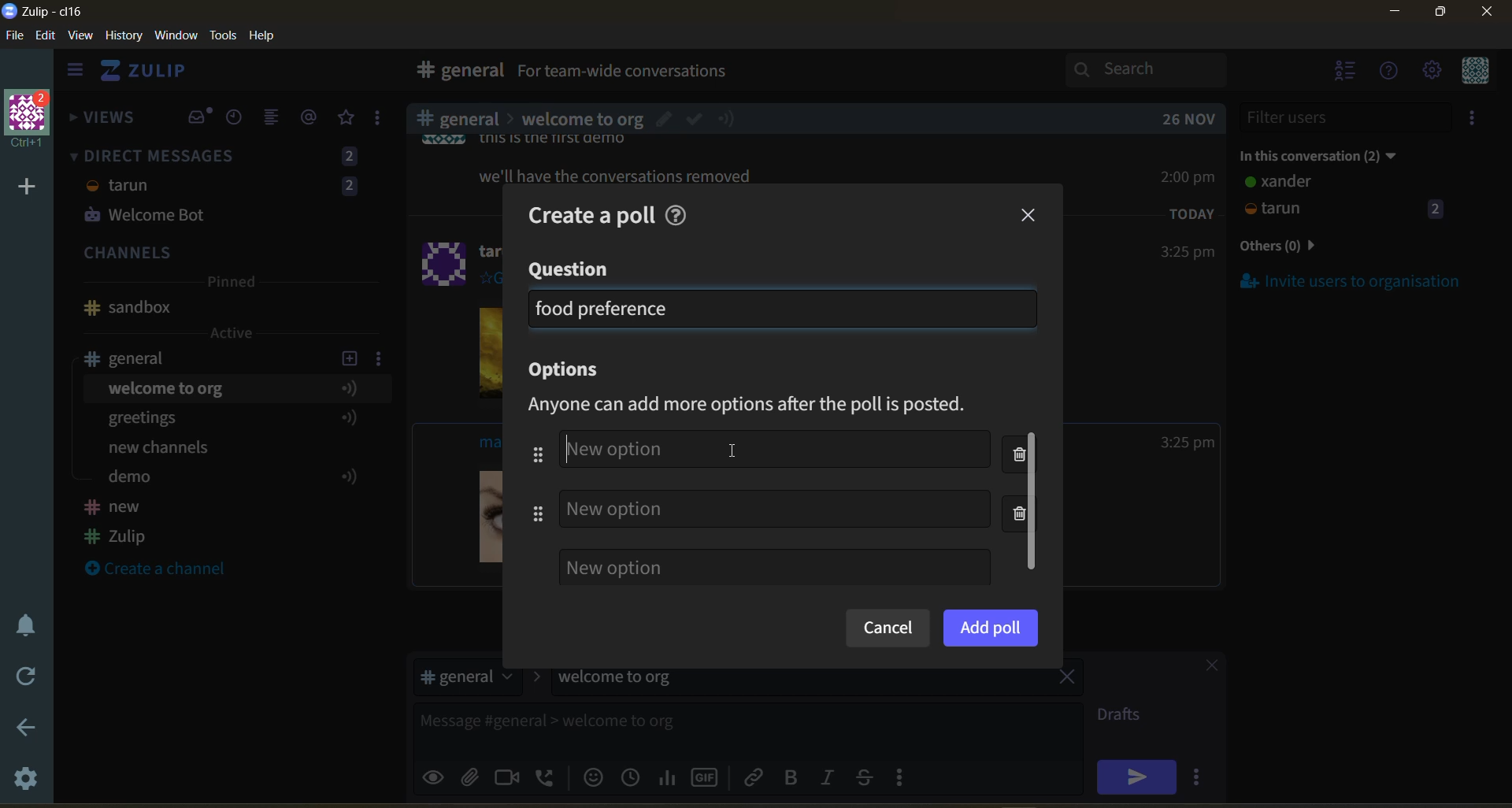 This screenshot has height=808, width=1512. What do you see at coordinates (475, 775) in the screenshot?
I see `upload files` at bounding box center [475, 775].